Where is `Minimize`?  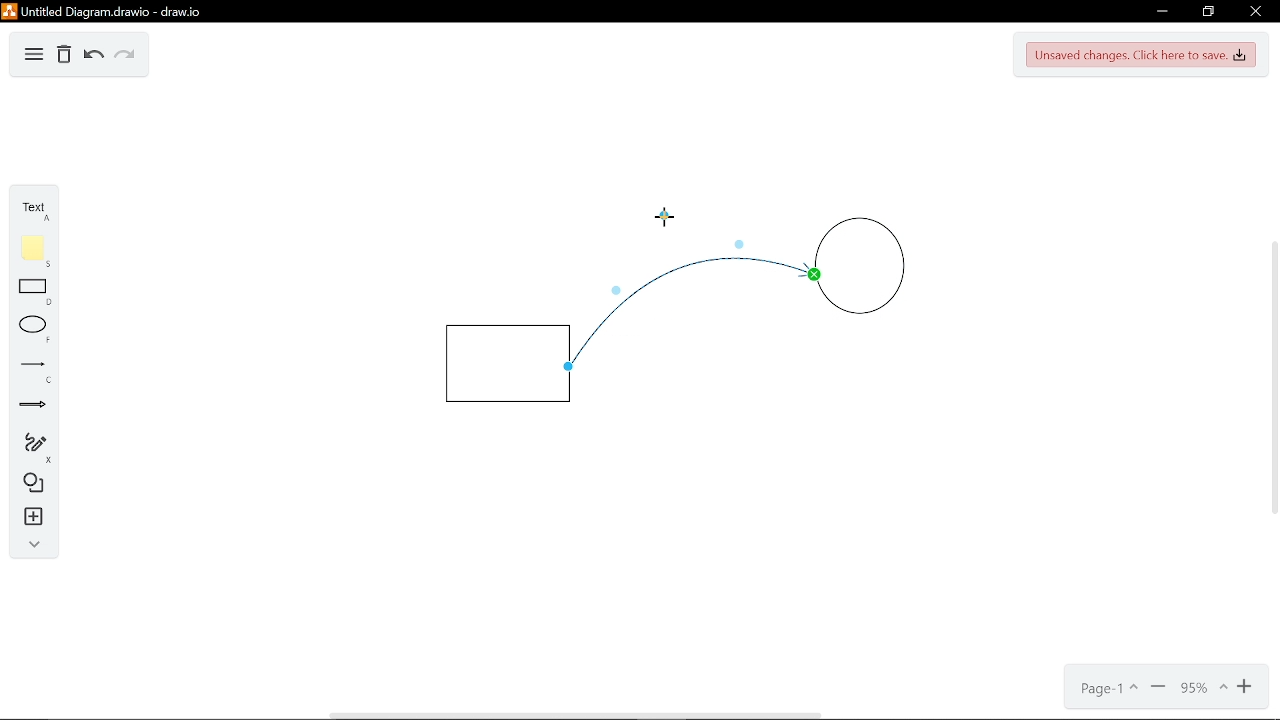
Minimize is located at coordinates (1159, 689).